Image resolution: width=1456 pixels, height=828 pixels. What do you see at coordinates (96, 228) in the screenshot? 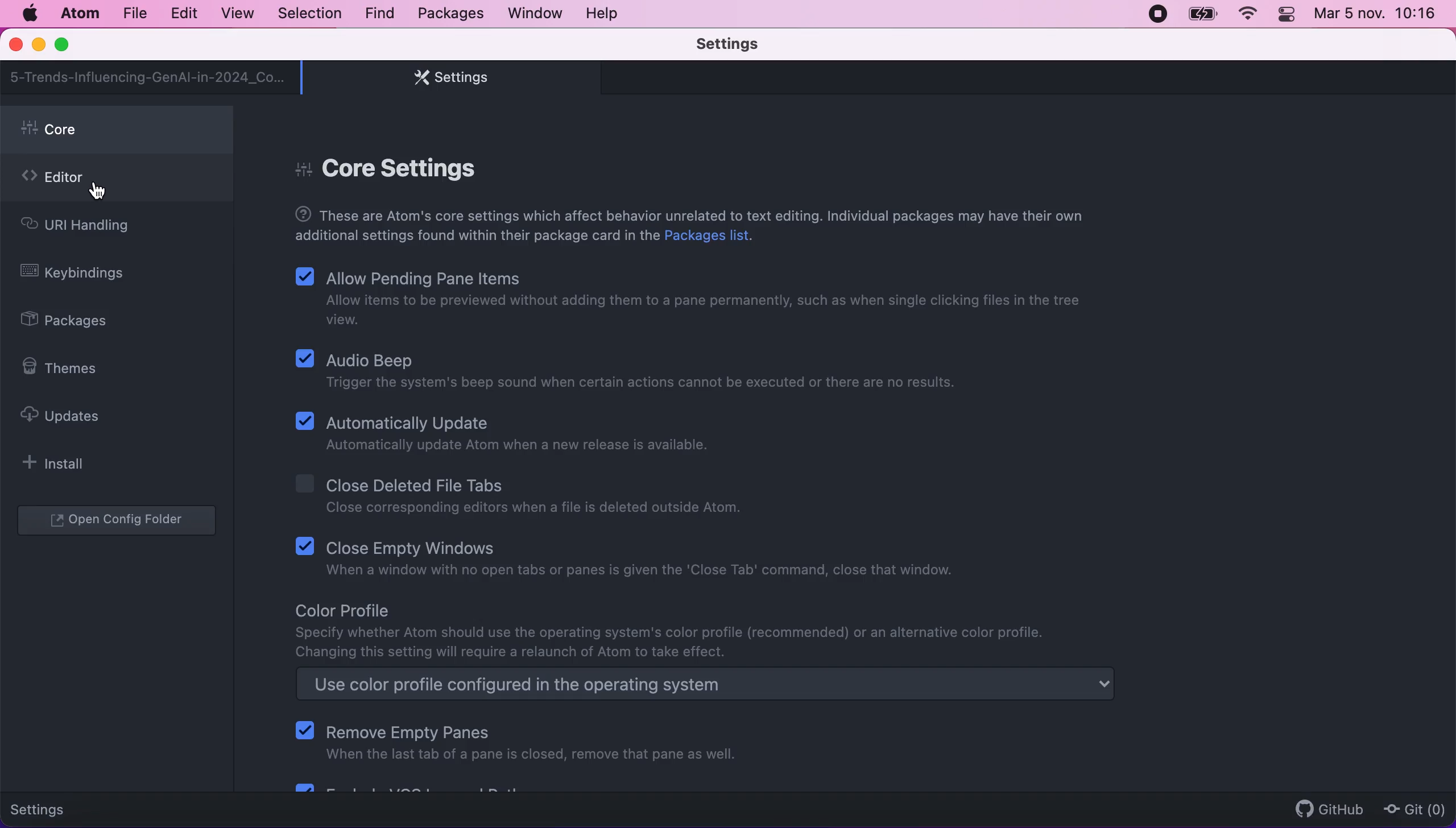
I see `URI handling` at bounding box center [96, 228].